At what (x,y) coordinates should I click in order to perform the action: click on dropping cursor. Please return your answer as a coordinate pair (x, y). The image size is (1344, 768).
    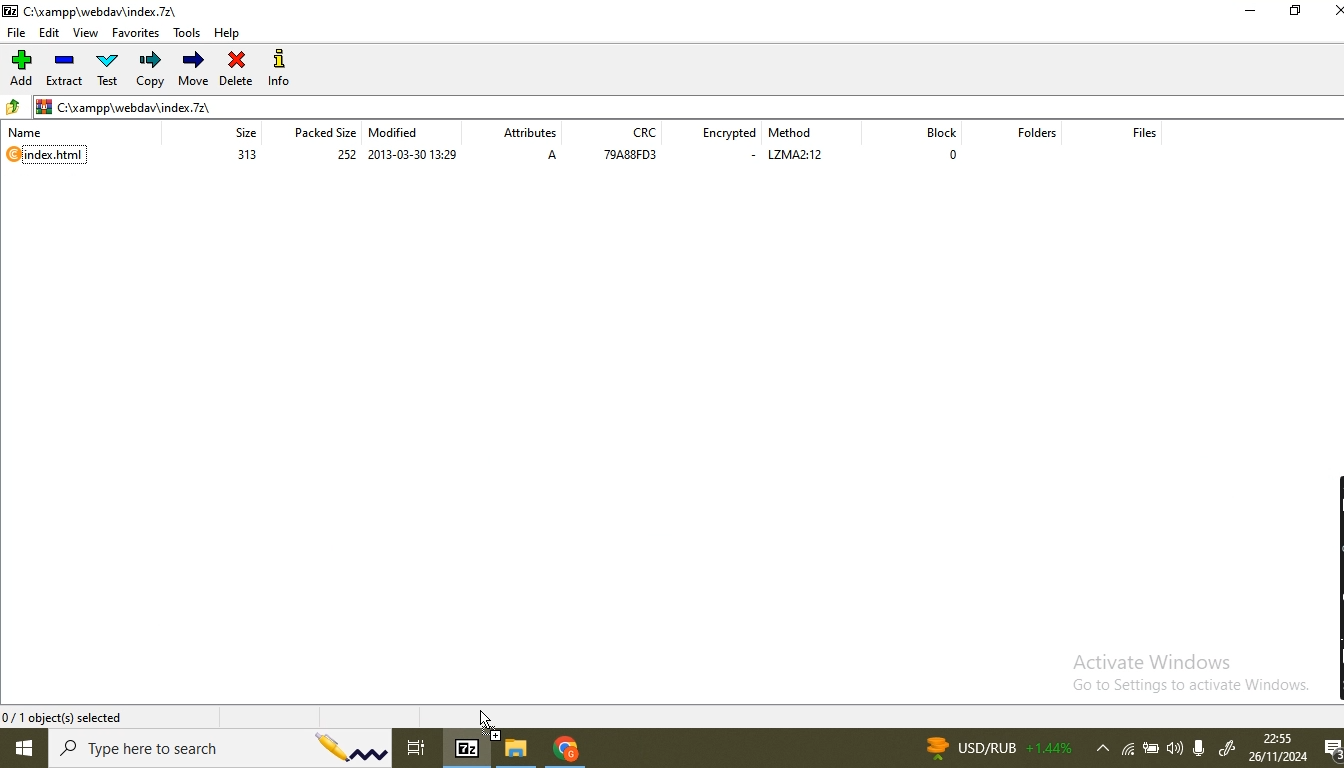
    Looking at the image, I should click on (492, 725).